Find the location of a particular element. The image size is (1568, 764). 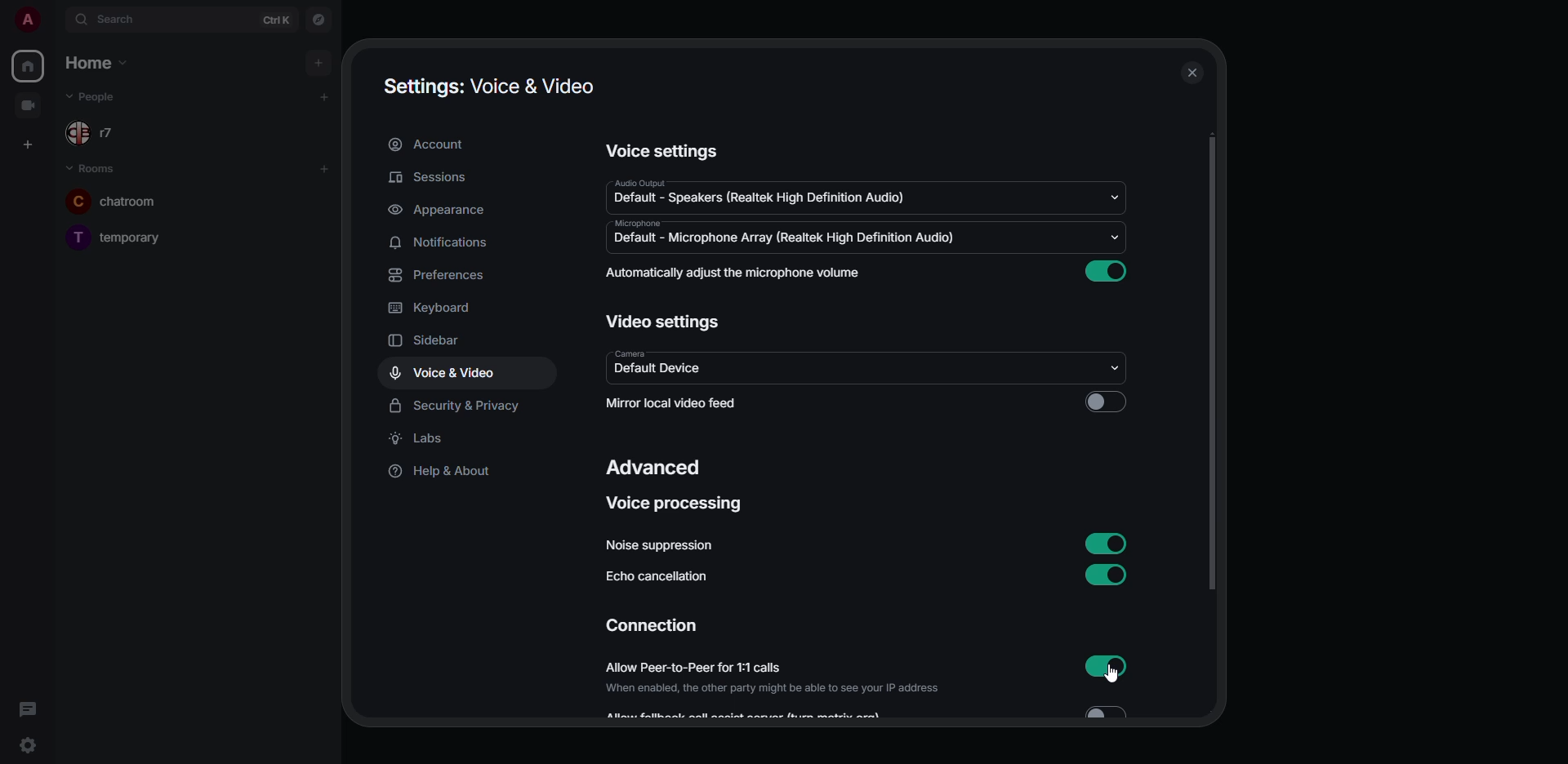

add is located at coordinates (323, 168).